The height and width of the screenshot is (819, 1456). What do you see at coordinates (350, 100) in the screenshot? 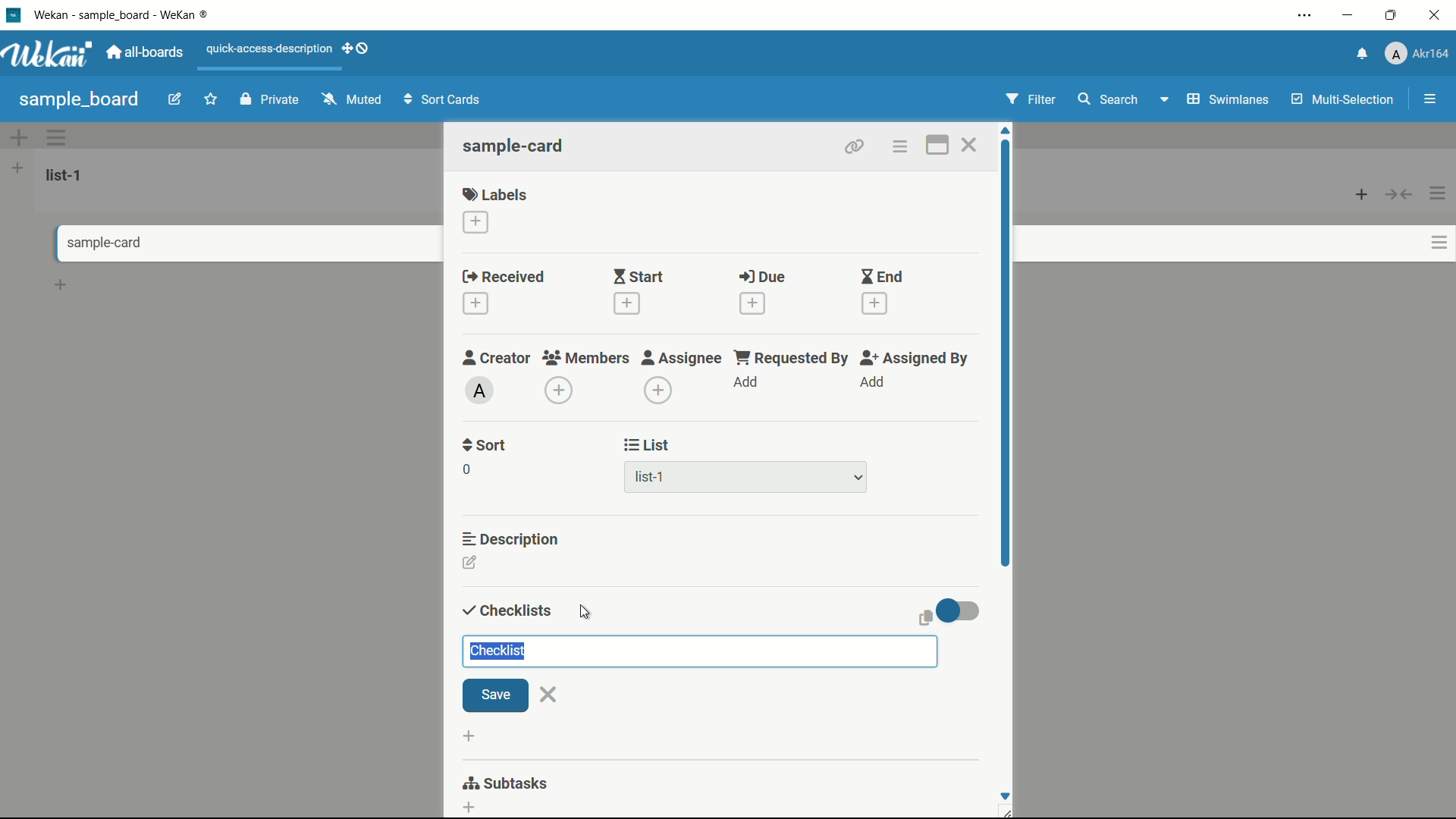
I see `muted` at bounding box center [350, 100].